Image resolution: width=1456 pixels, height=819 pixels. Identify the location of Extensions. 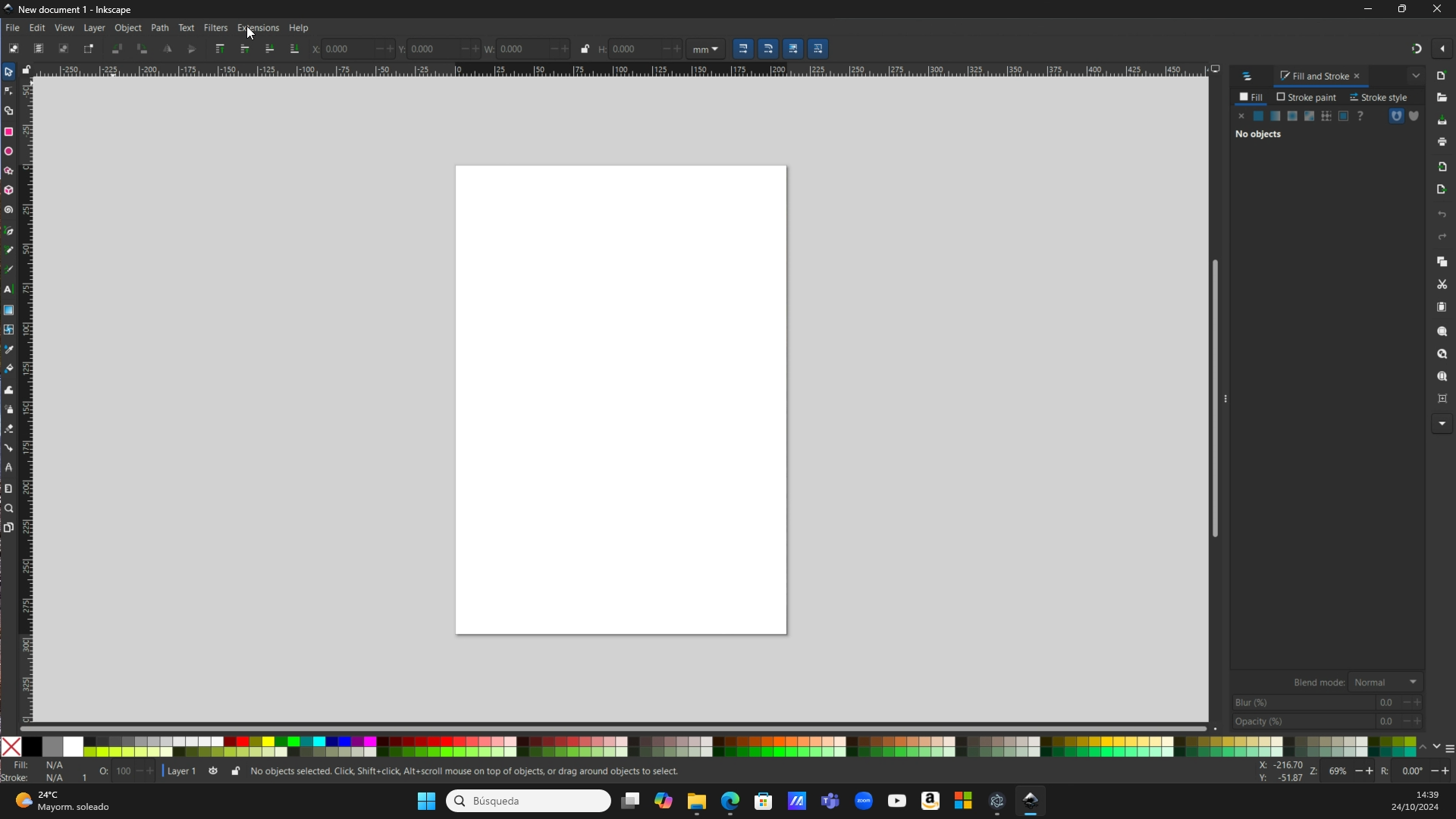
(260, 30).